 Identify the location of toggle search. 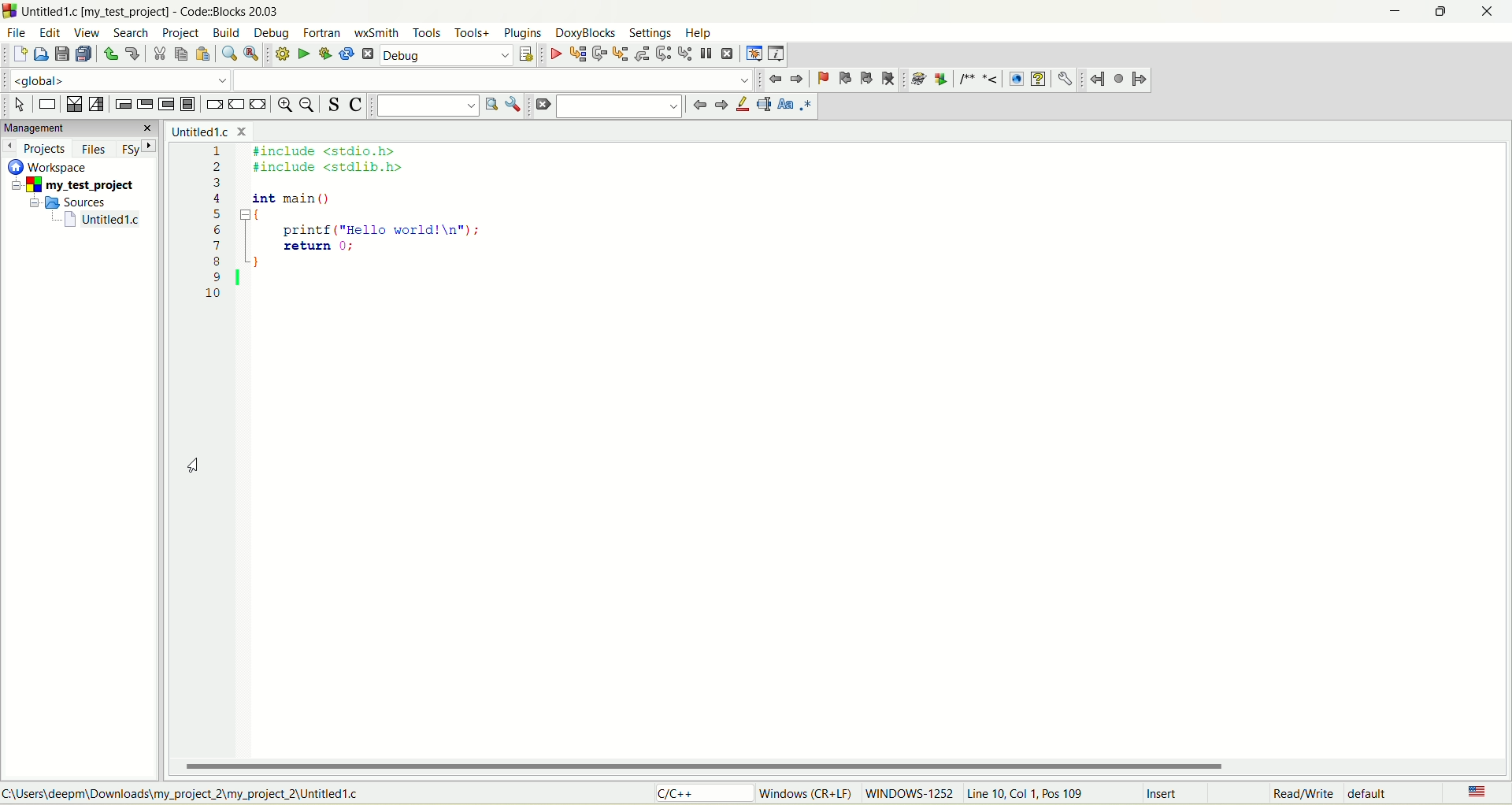
(334, 105).